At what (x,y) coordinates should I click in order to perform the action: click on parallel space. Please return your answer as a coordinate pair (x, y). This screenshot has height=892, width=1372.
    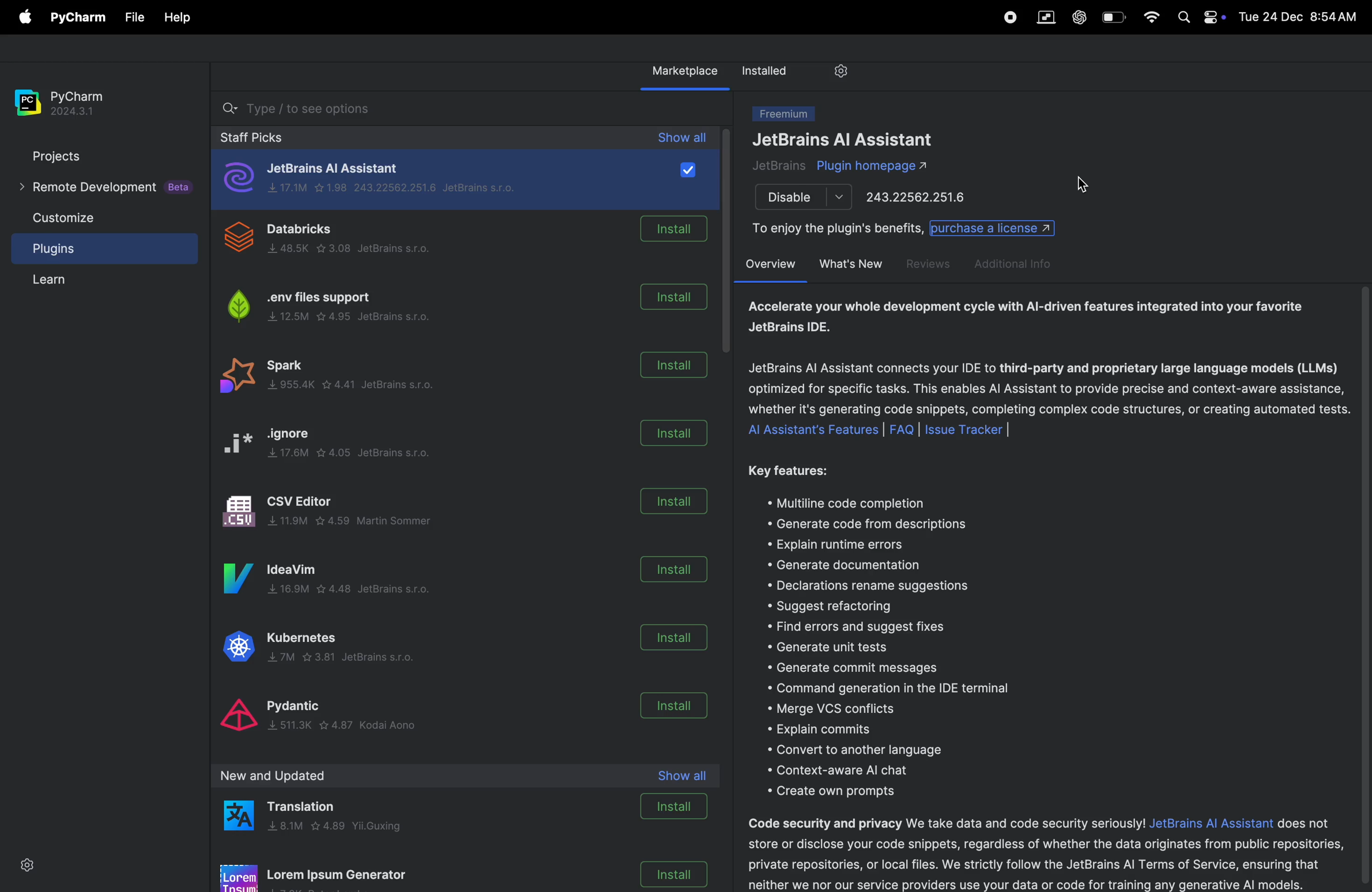
    Looking at the image, I should click on (1043, 16).